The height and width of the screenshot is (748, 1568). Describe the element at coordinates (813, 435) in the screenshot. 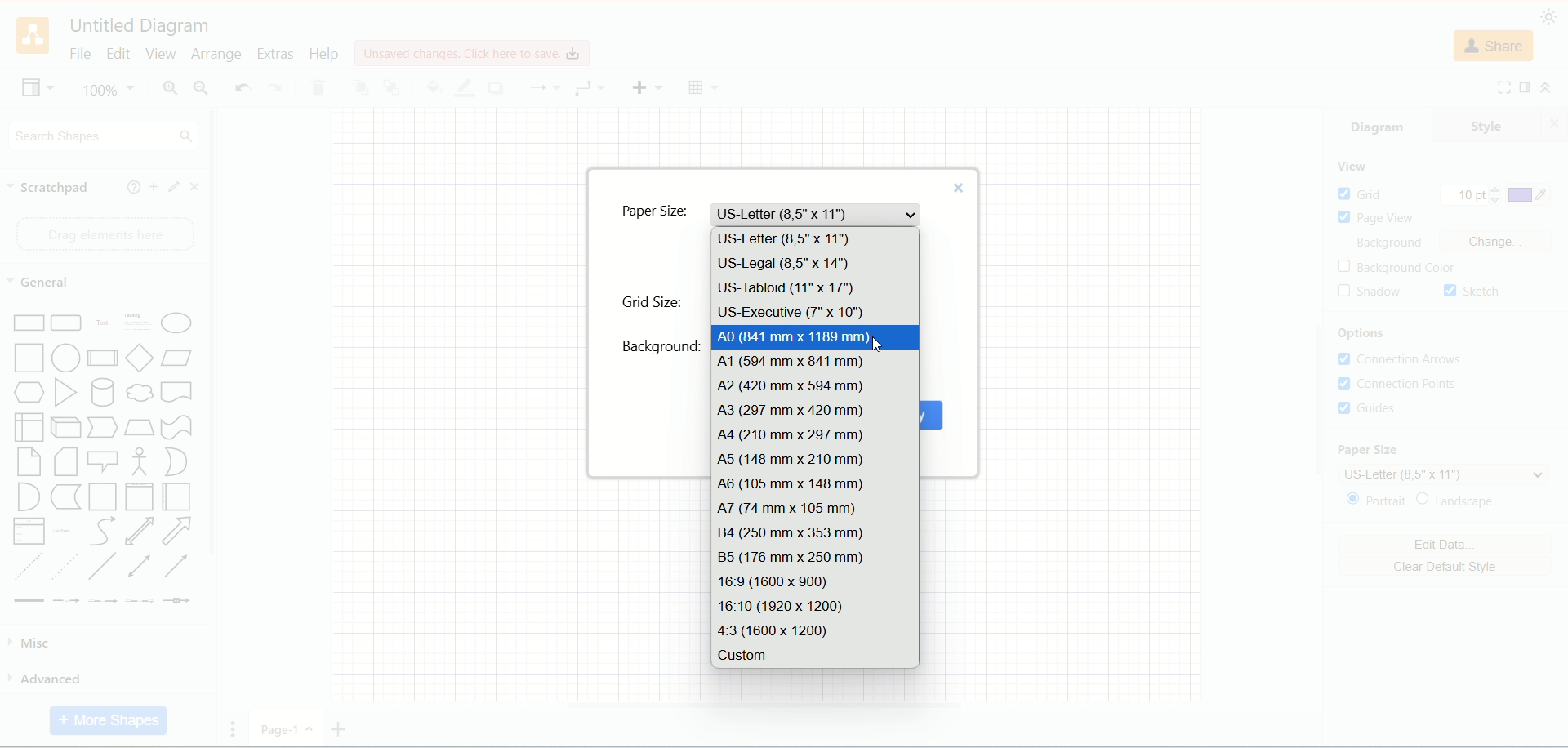

I see `A4` at that location.